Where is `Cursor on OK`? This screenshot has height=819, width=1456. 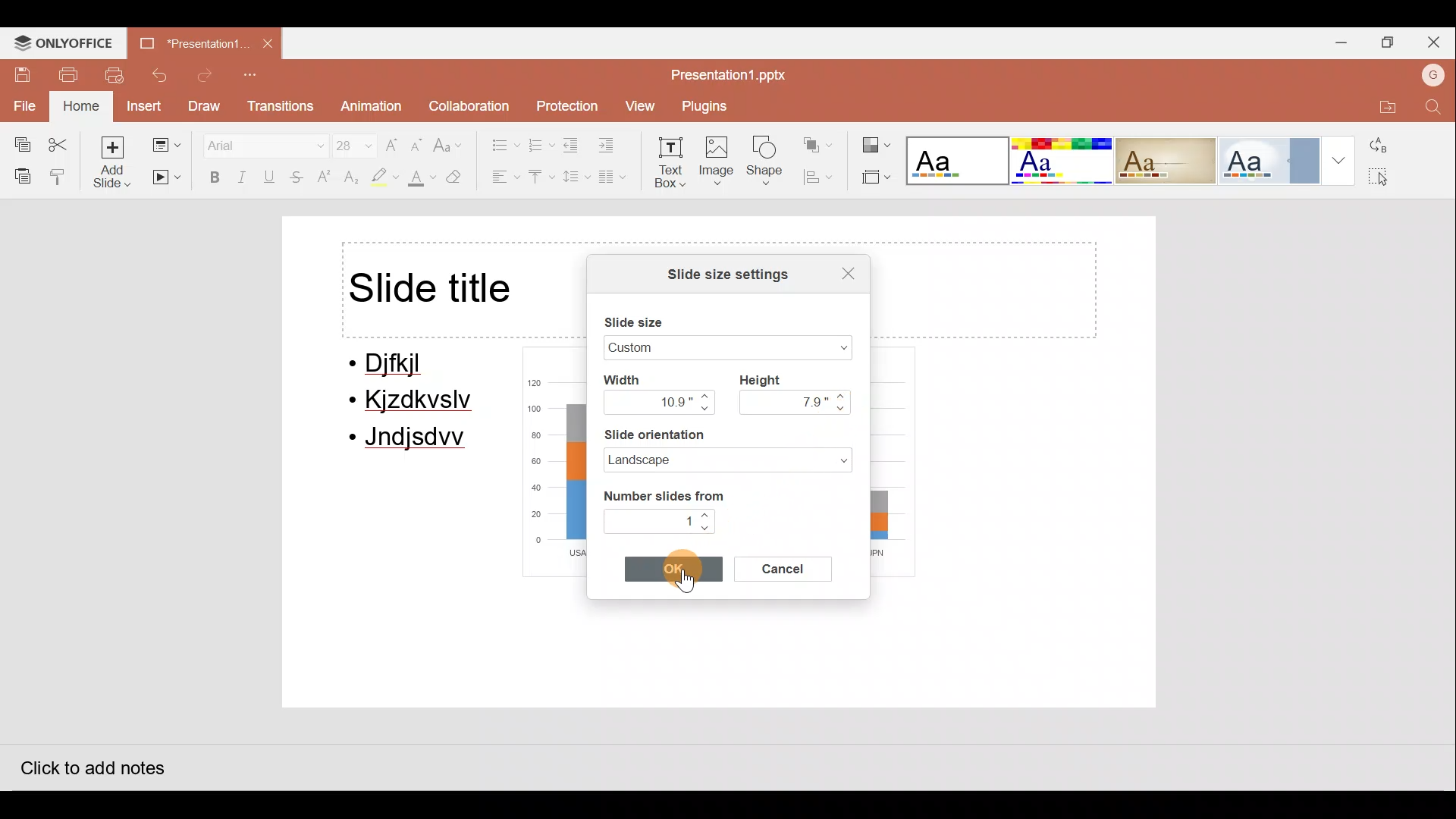
Cursor on OK is located at coordinates (678, 569).